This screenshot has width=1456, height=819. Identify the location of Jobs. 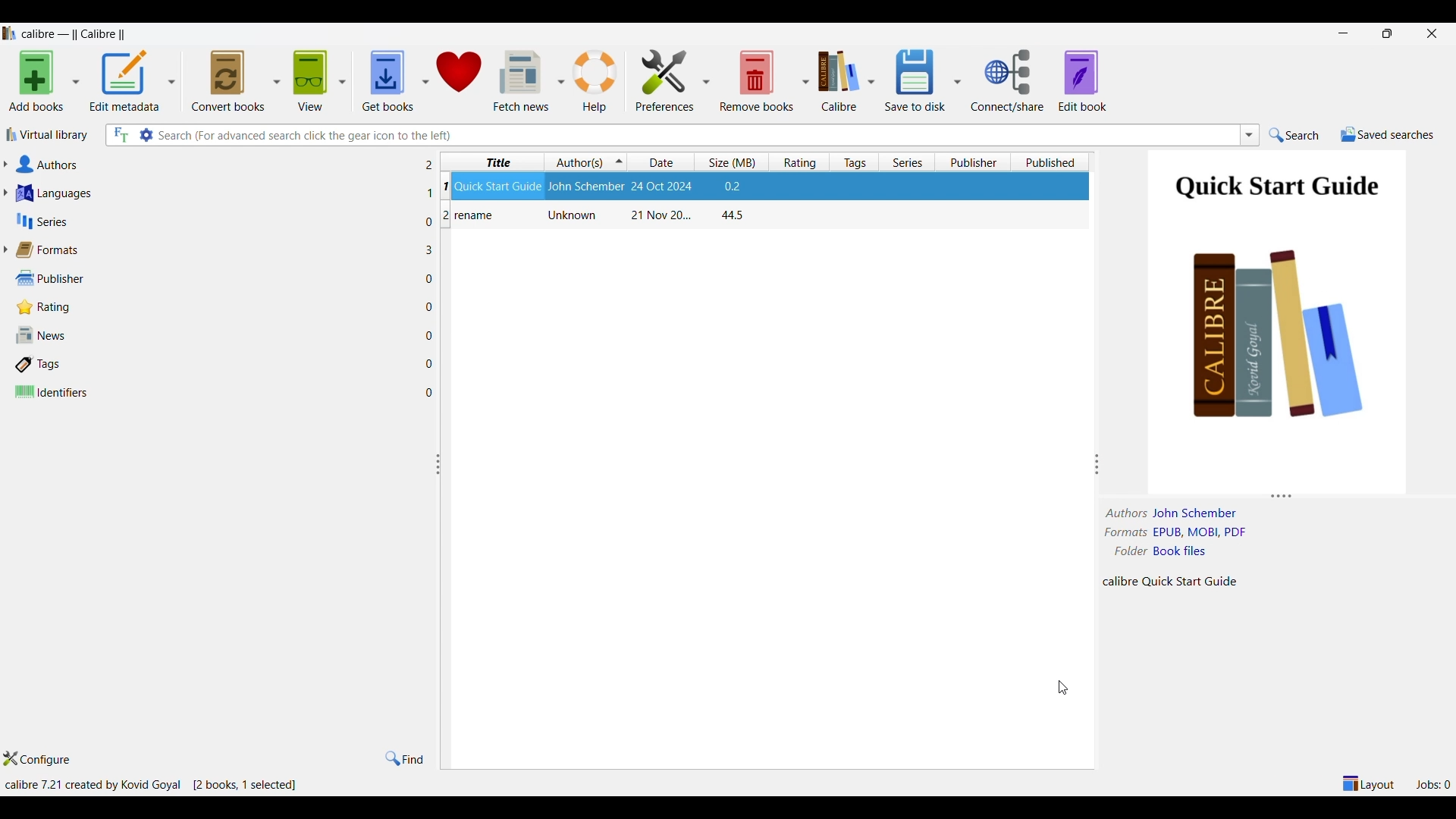
(1432, 785).